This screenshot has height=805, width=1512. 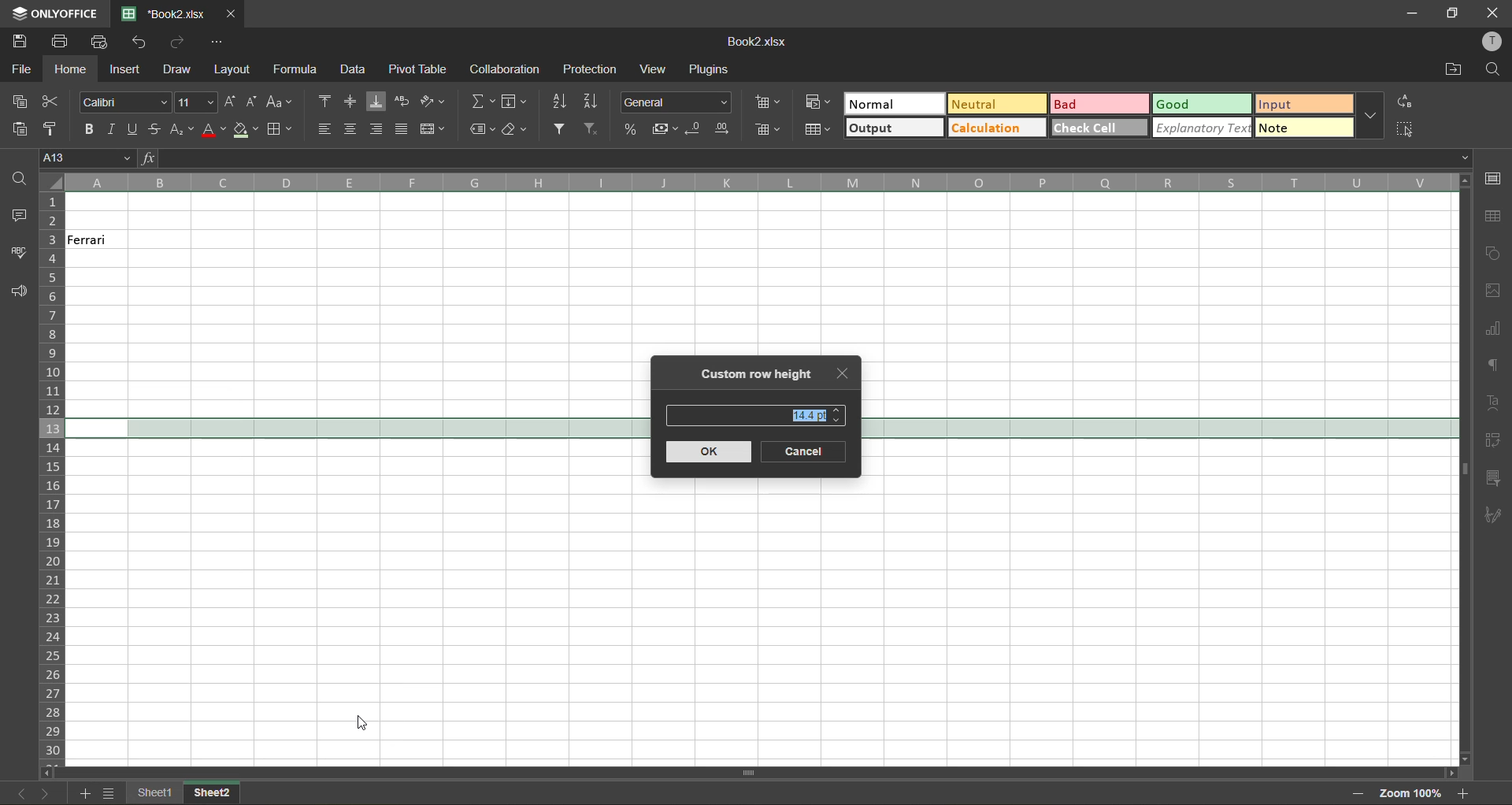 I want to click on sheet names, so click(x=213, y=794).